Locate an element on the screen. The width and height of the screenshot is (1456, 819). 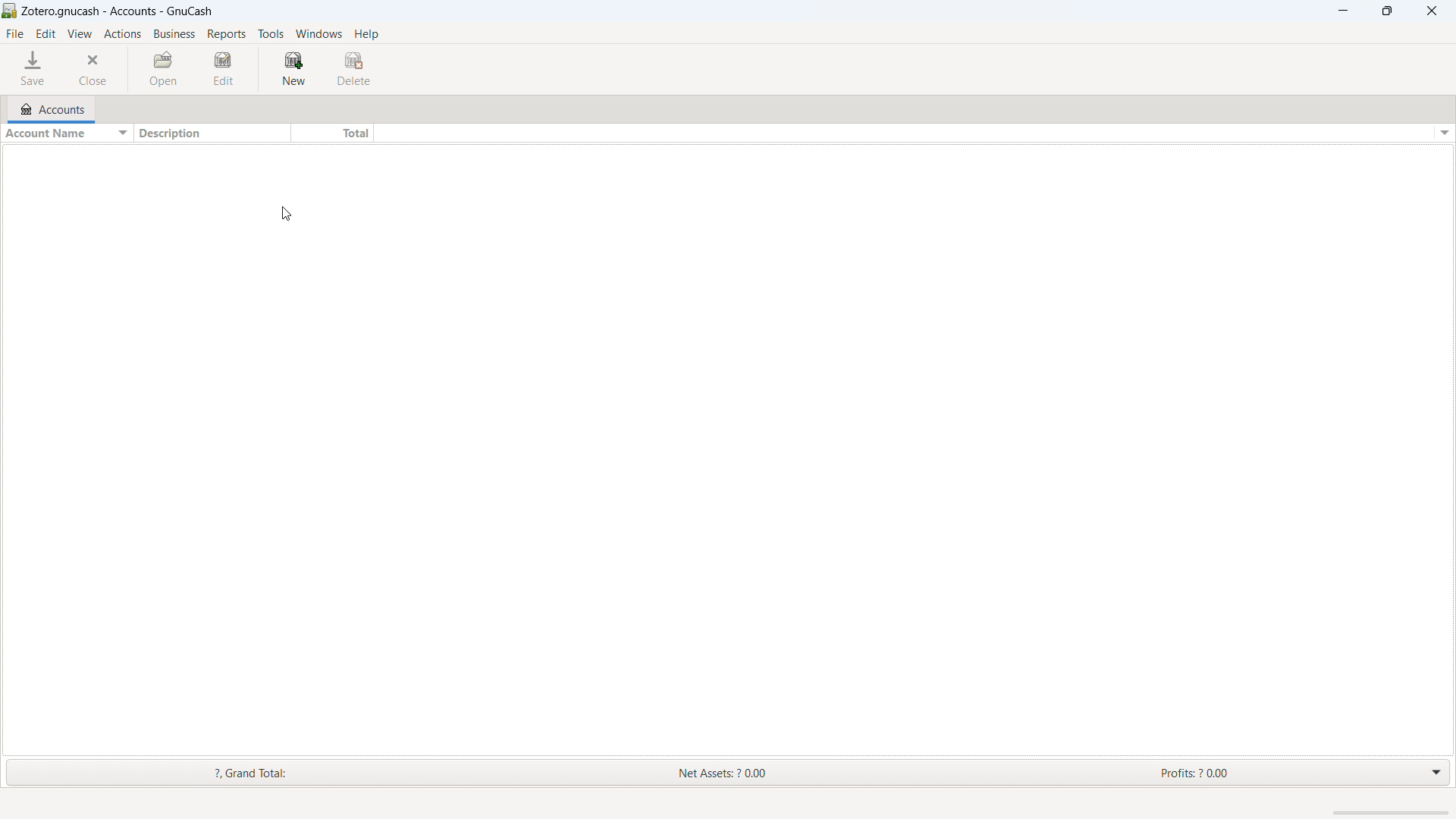
Net Assets: ? 0.00 is located at coordinates (730, 773).